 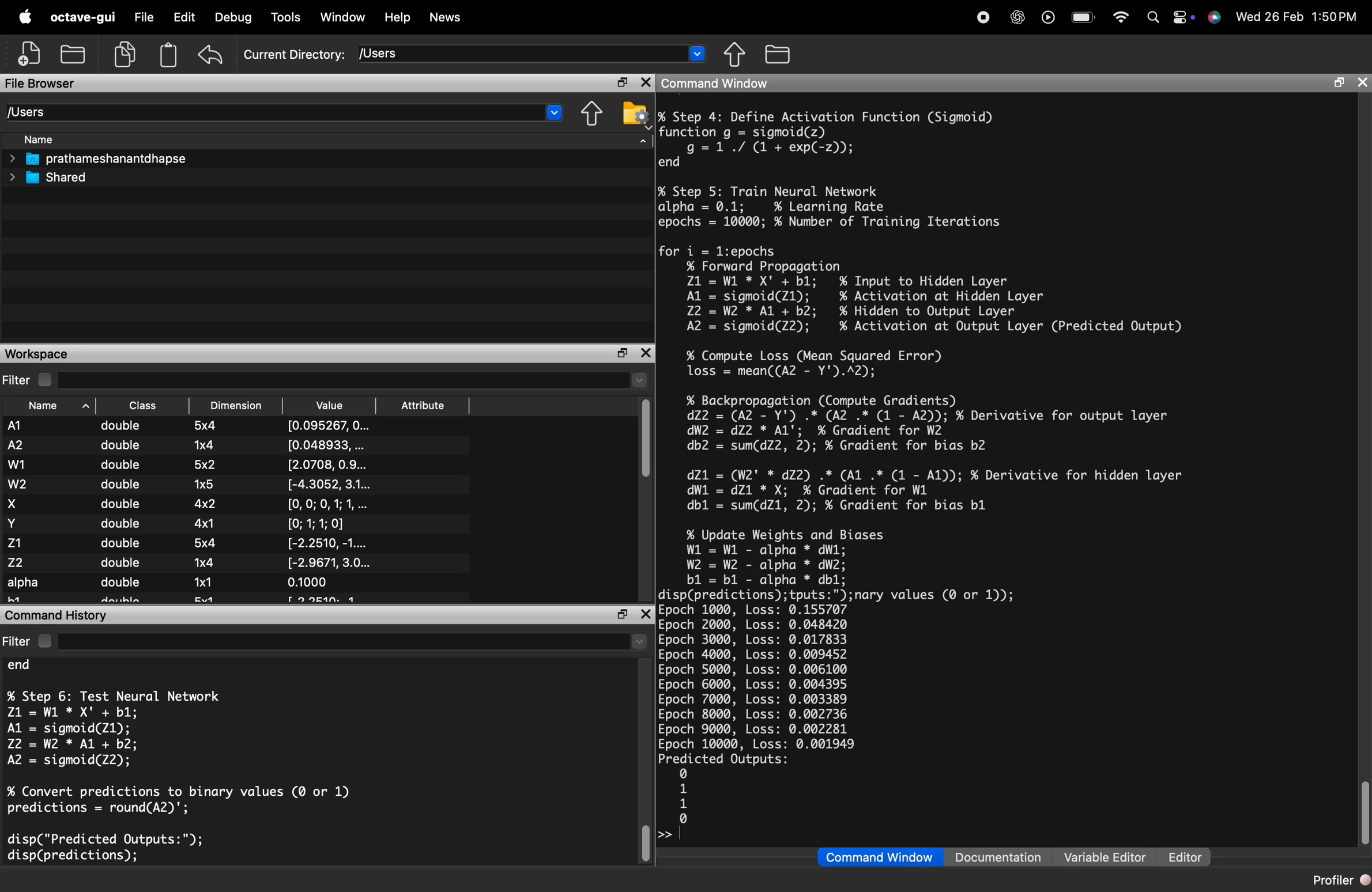 I want to click on Wed 26 Feb, so click(x=1268, y=17).